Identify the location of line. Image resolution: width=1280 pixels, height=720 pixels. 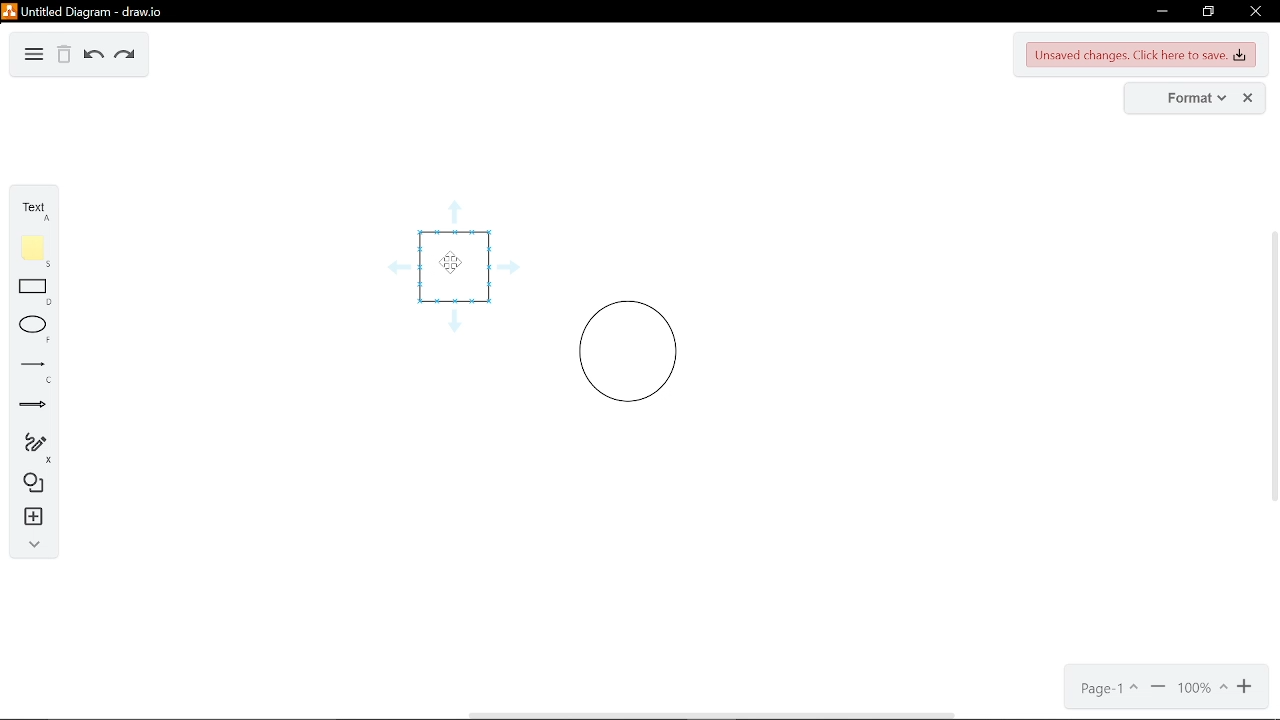
(32, 370).